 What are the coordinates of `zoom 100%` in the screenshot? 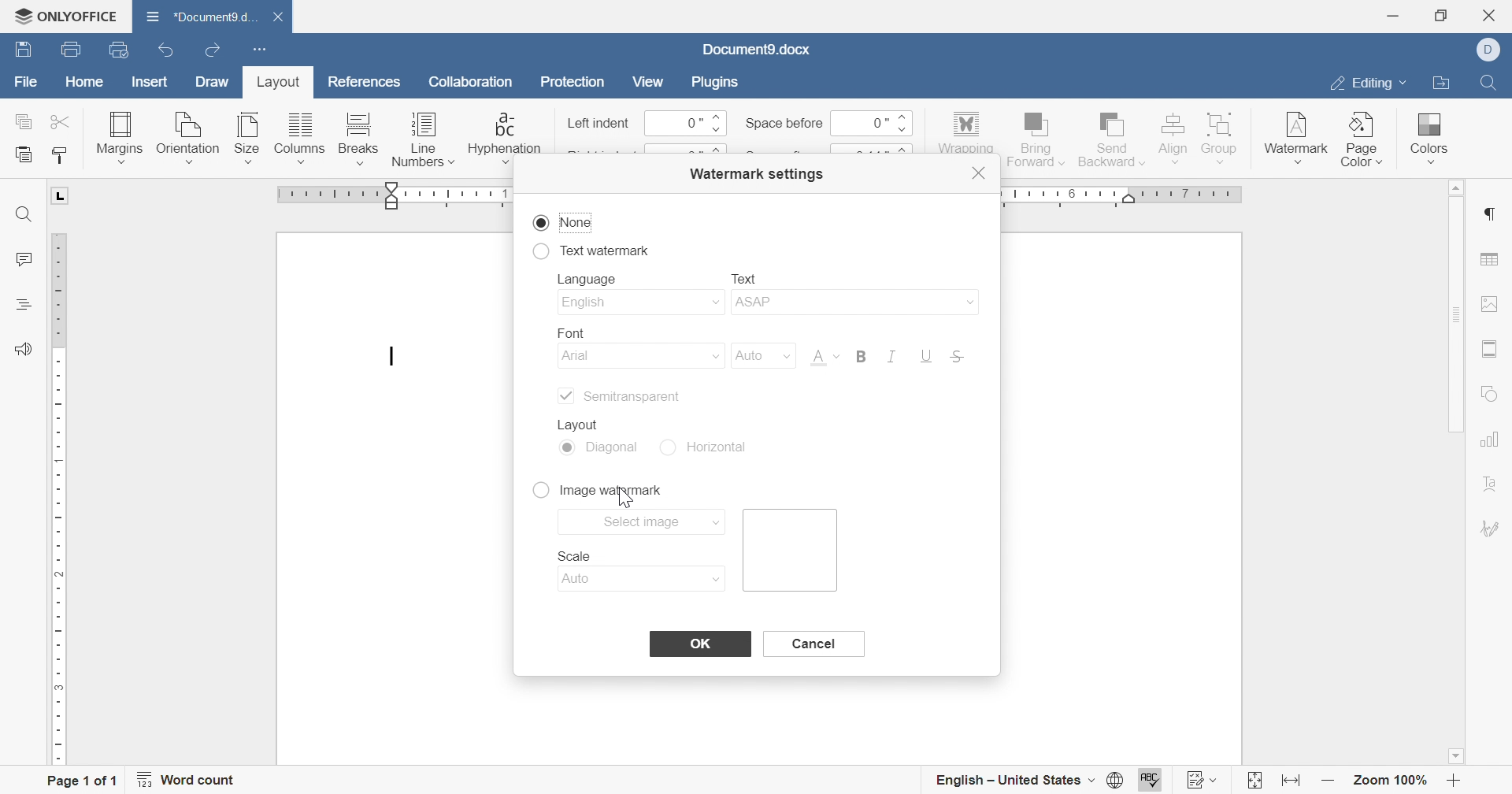 It's located at (1392, 783).